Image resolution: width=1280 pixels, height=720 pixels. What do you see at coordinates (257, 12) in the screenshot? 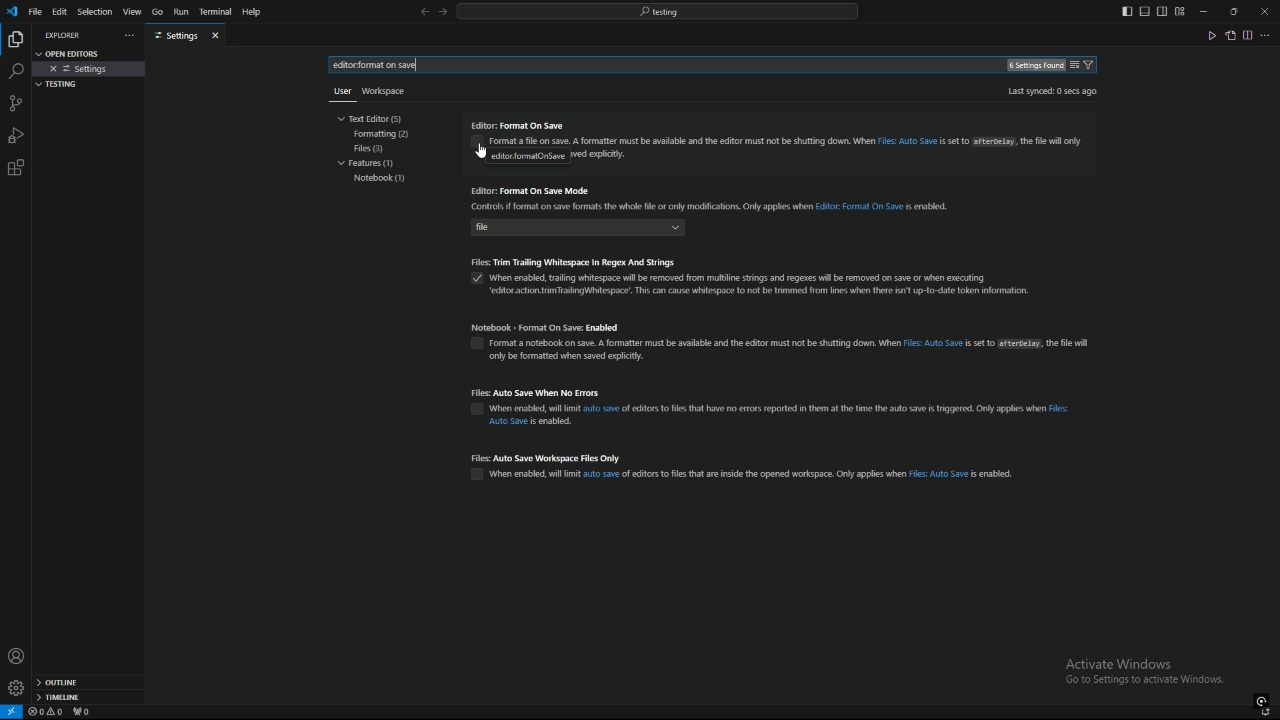
I see `help` at bounding box center [257, 12].